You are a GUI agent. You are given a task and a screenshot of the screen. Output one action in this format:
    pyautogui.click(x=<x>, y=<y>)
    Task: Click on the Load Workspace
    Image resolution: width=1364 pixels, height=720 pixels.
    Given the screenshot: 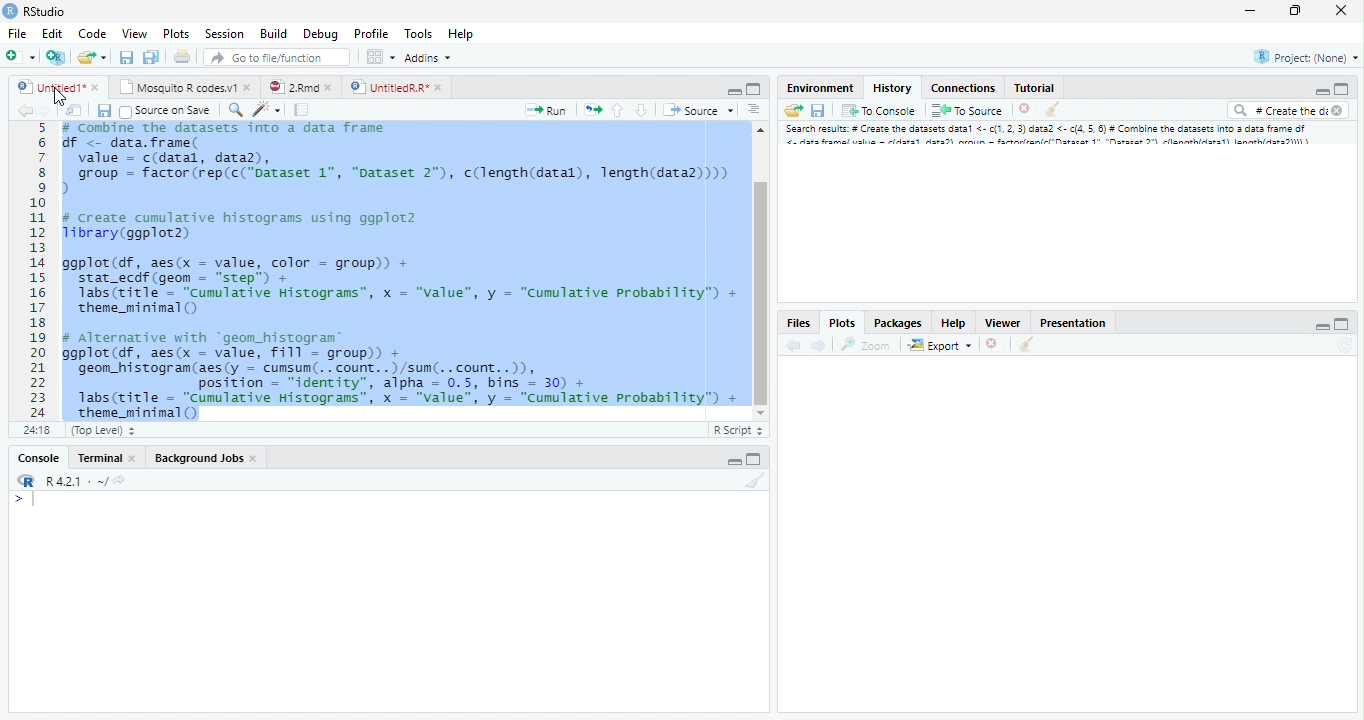 What is the action you would take?
    pyautogui.click(x=795, y=113)
    